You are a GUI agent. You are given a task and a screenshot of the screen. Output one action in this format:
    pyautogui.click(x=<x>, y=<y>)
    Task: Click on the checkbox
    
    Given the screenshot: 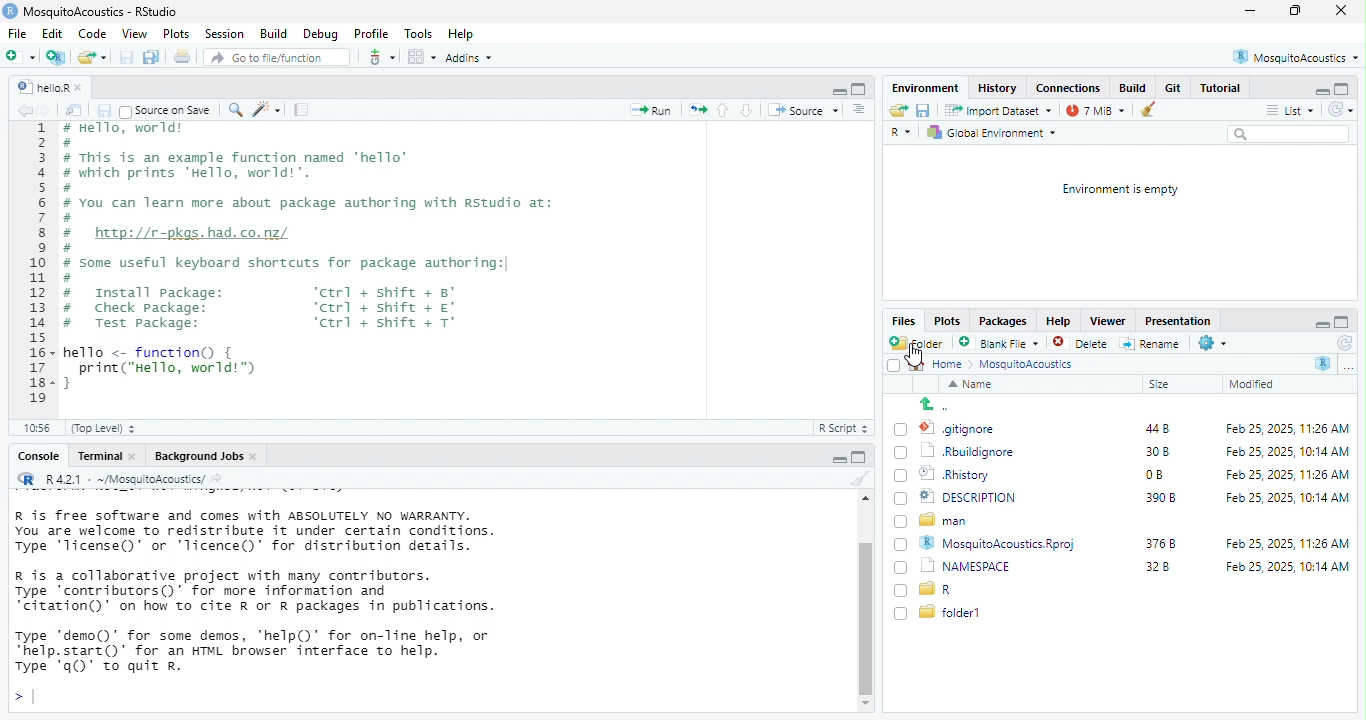 What is the action you would take?
    pyautogui.click(x=900, y=499)
    